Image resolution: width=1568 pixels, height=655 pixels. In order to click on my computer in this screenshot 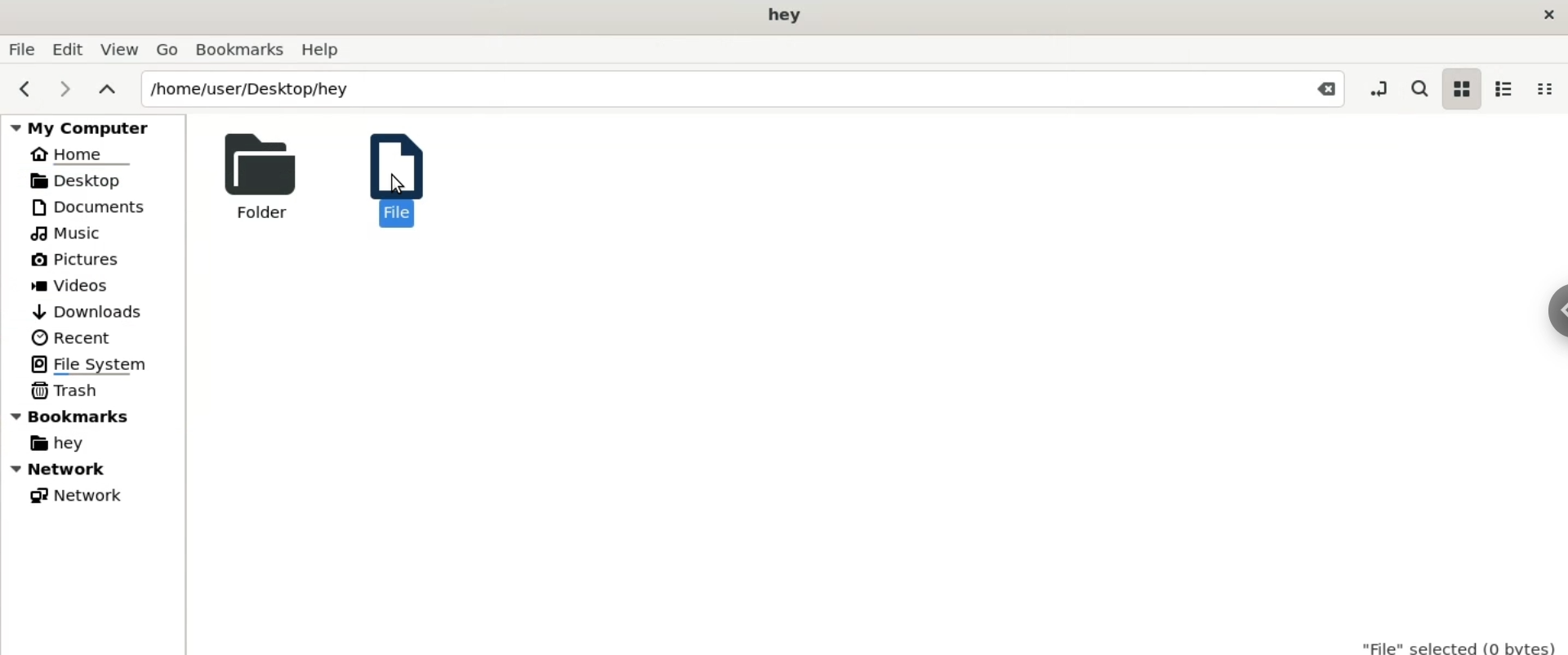, I will do `click(96, 124)`.